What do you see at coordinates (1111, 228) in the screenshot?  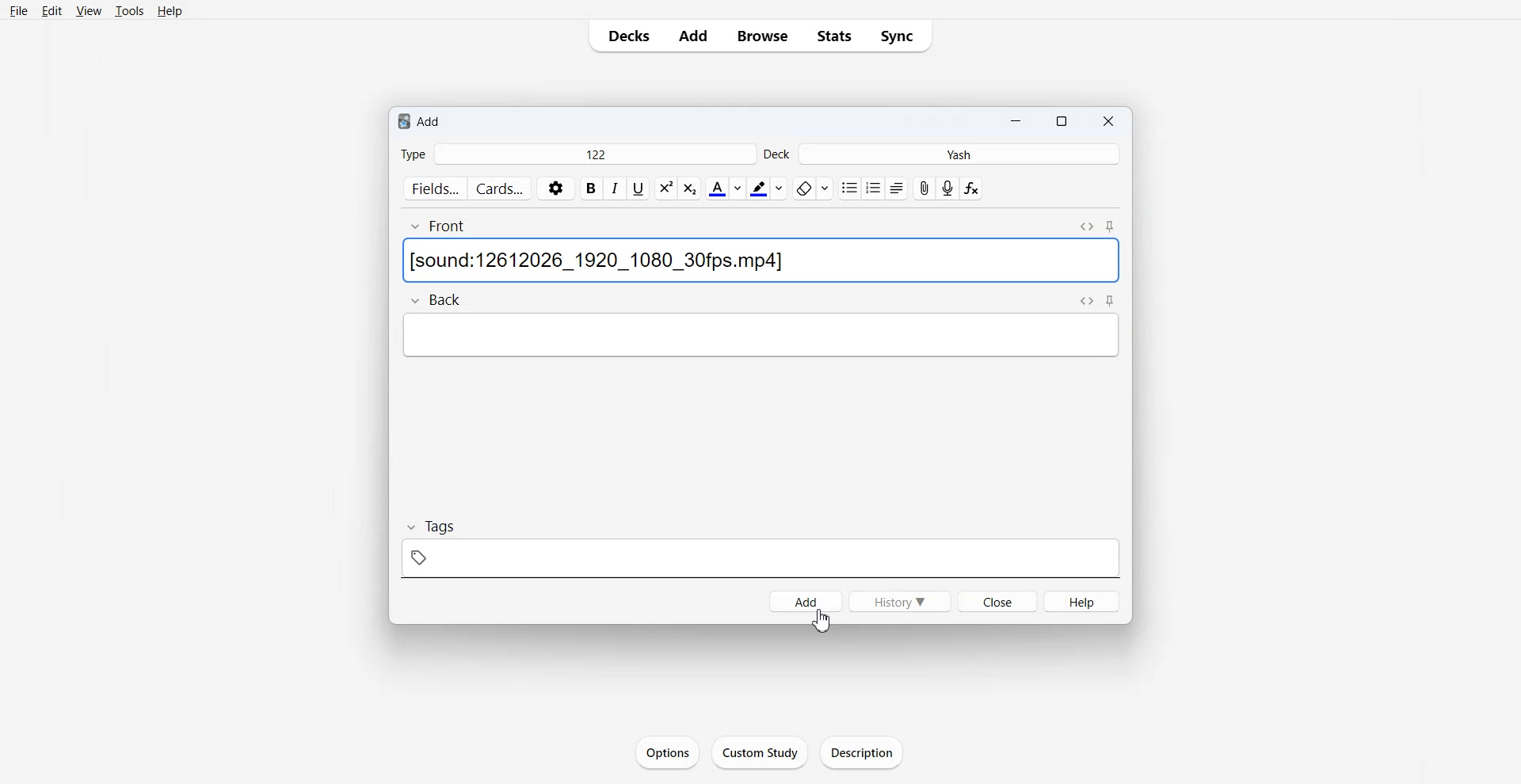 I see `Toggle sticky` at bounding box center [1111, 228].